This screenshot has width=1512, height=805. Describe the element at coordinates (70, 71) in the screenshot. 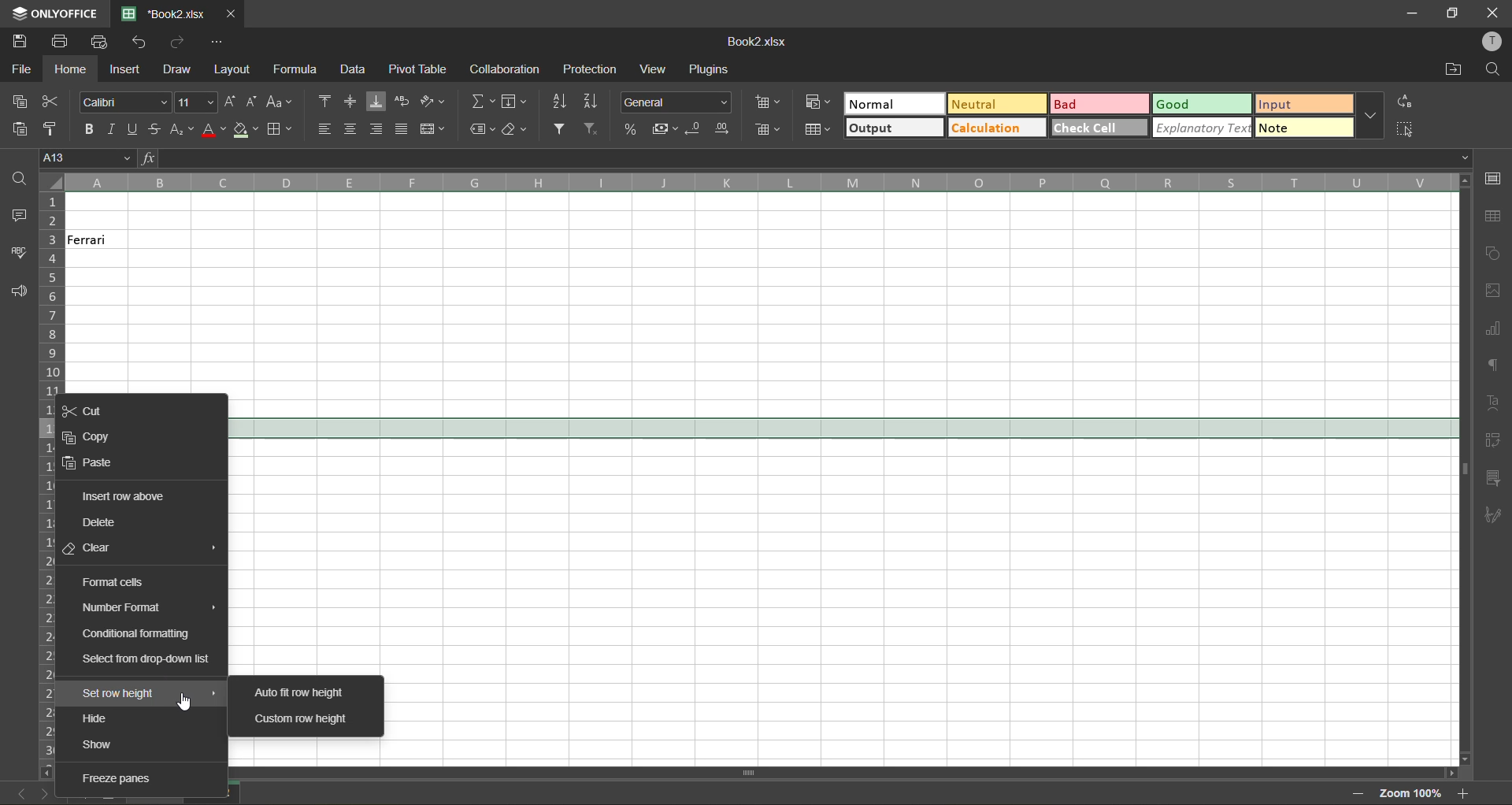

I see `home` at that location.